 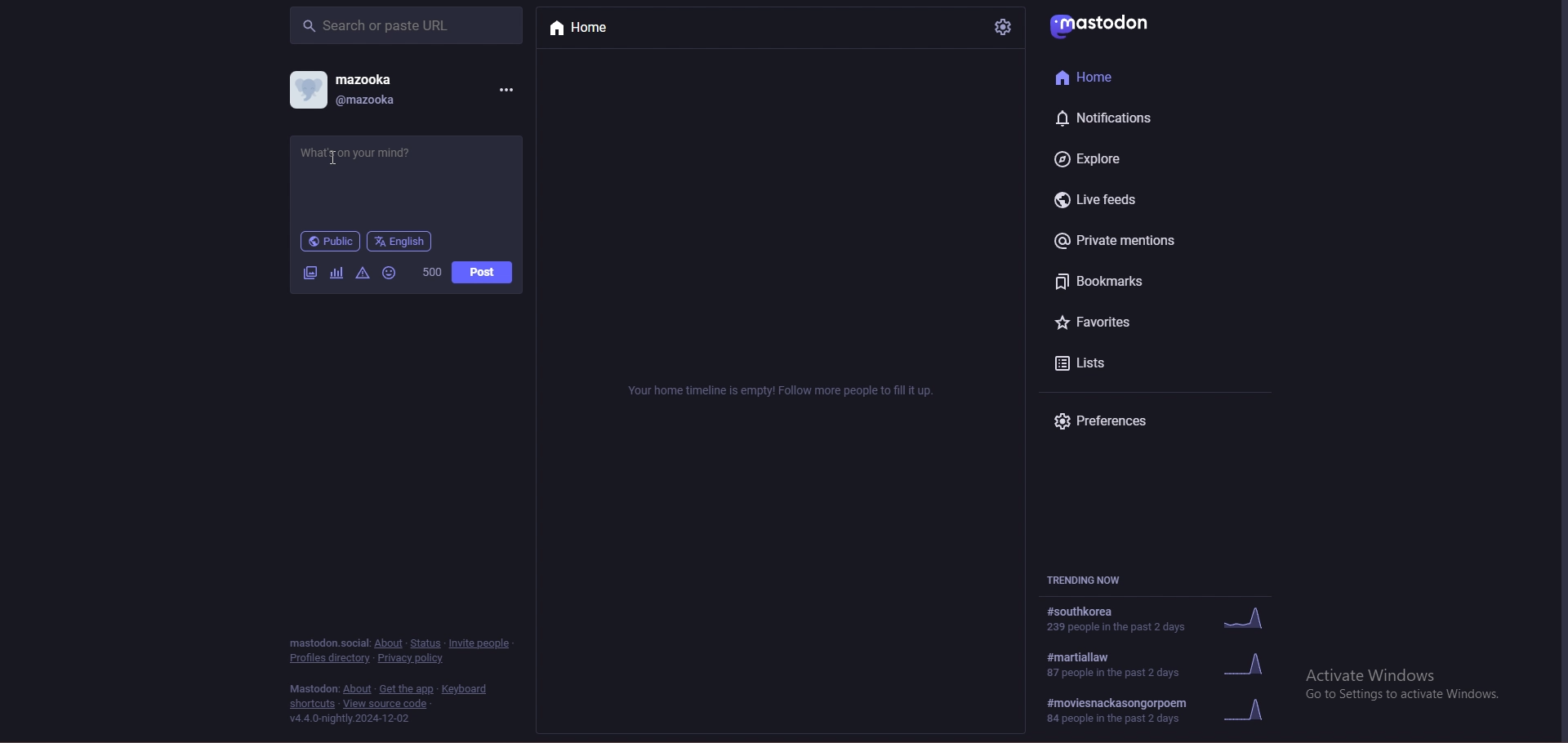 I want to click on polls, so click(x=337, y=273).